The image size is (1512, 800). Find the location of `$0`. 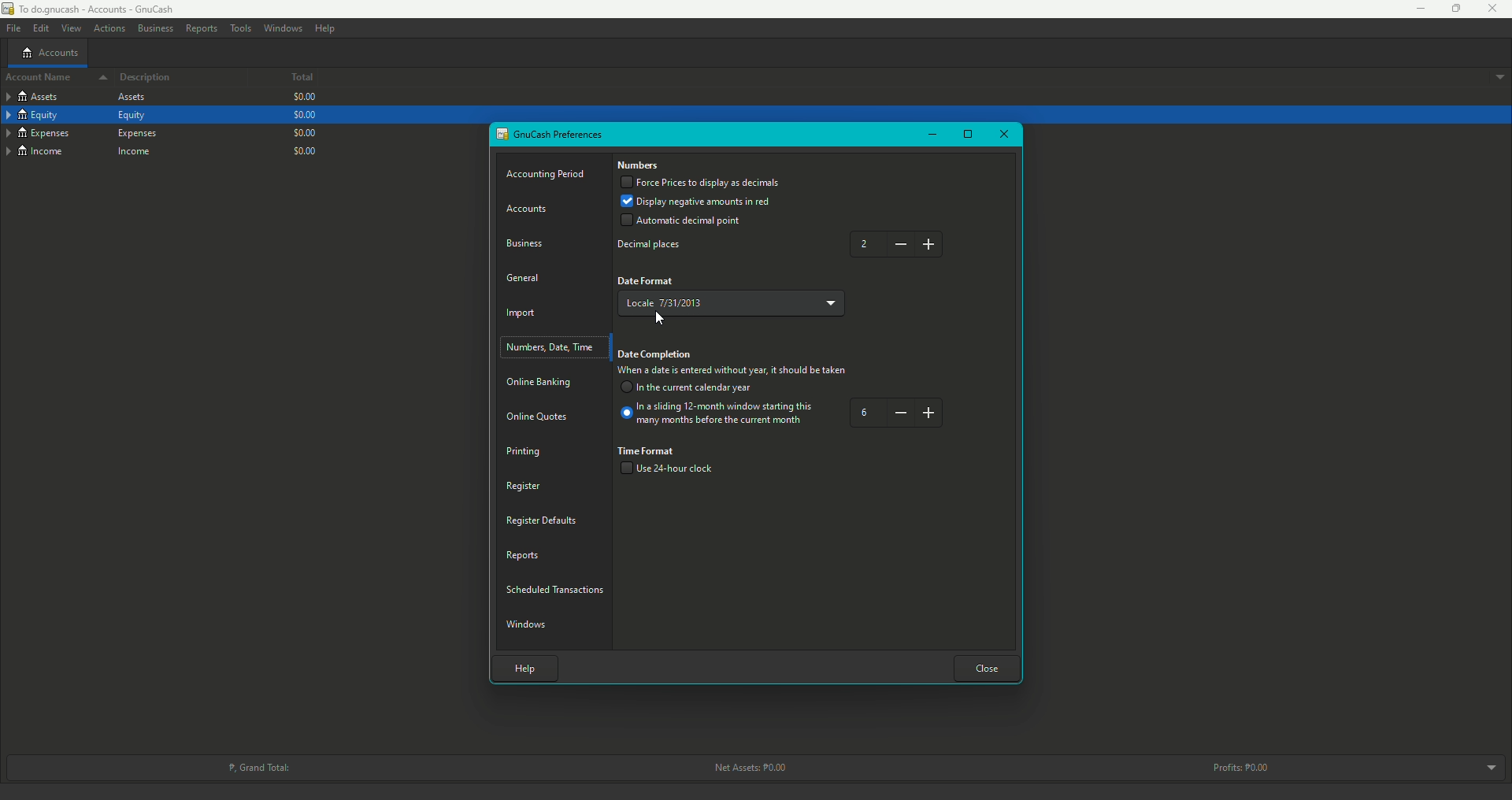

$0 is located at coordinates (303, 115).